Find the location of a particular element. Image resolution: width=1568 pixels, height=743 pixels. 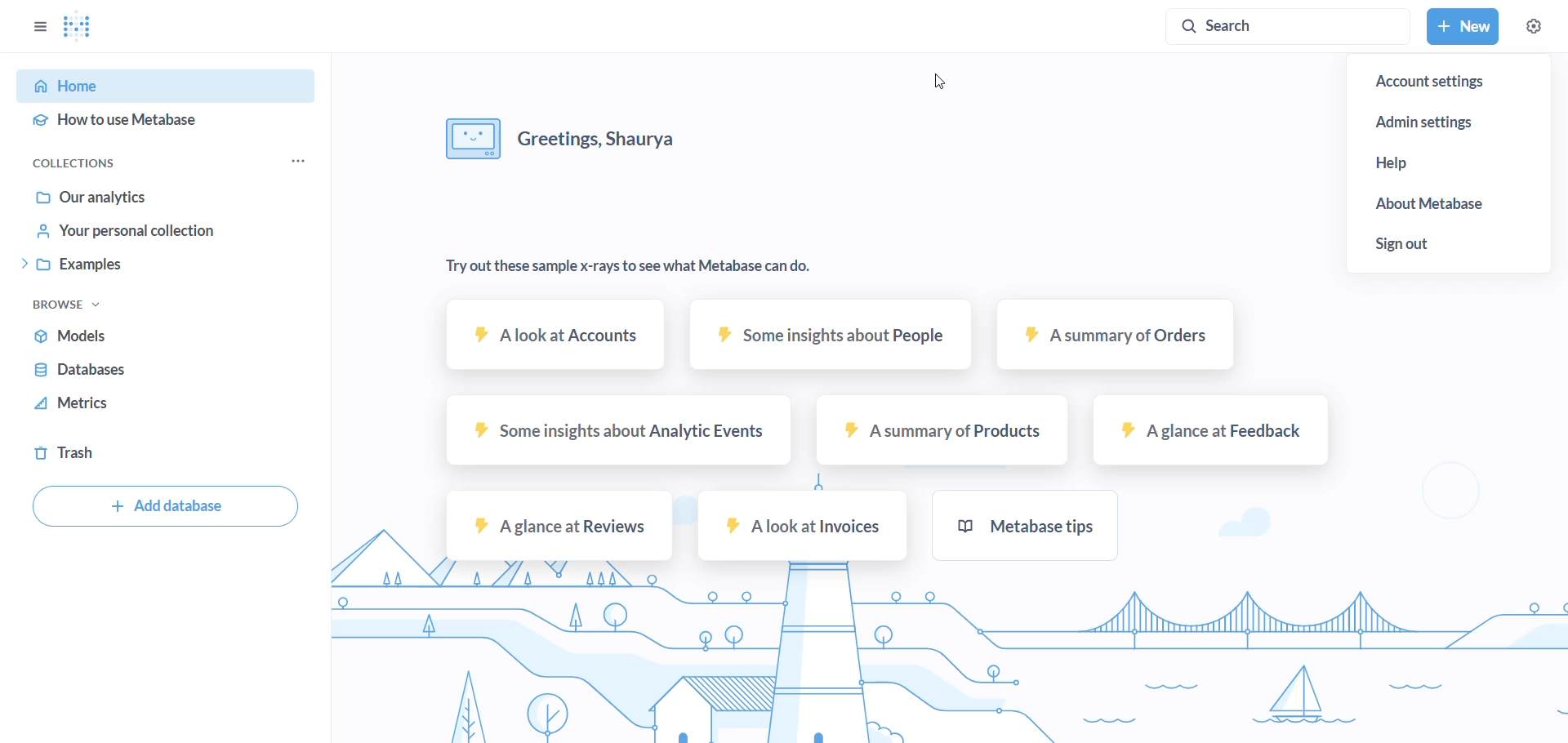

HOME  is located at coordinates (155, 87).